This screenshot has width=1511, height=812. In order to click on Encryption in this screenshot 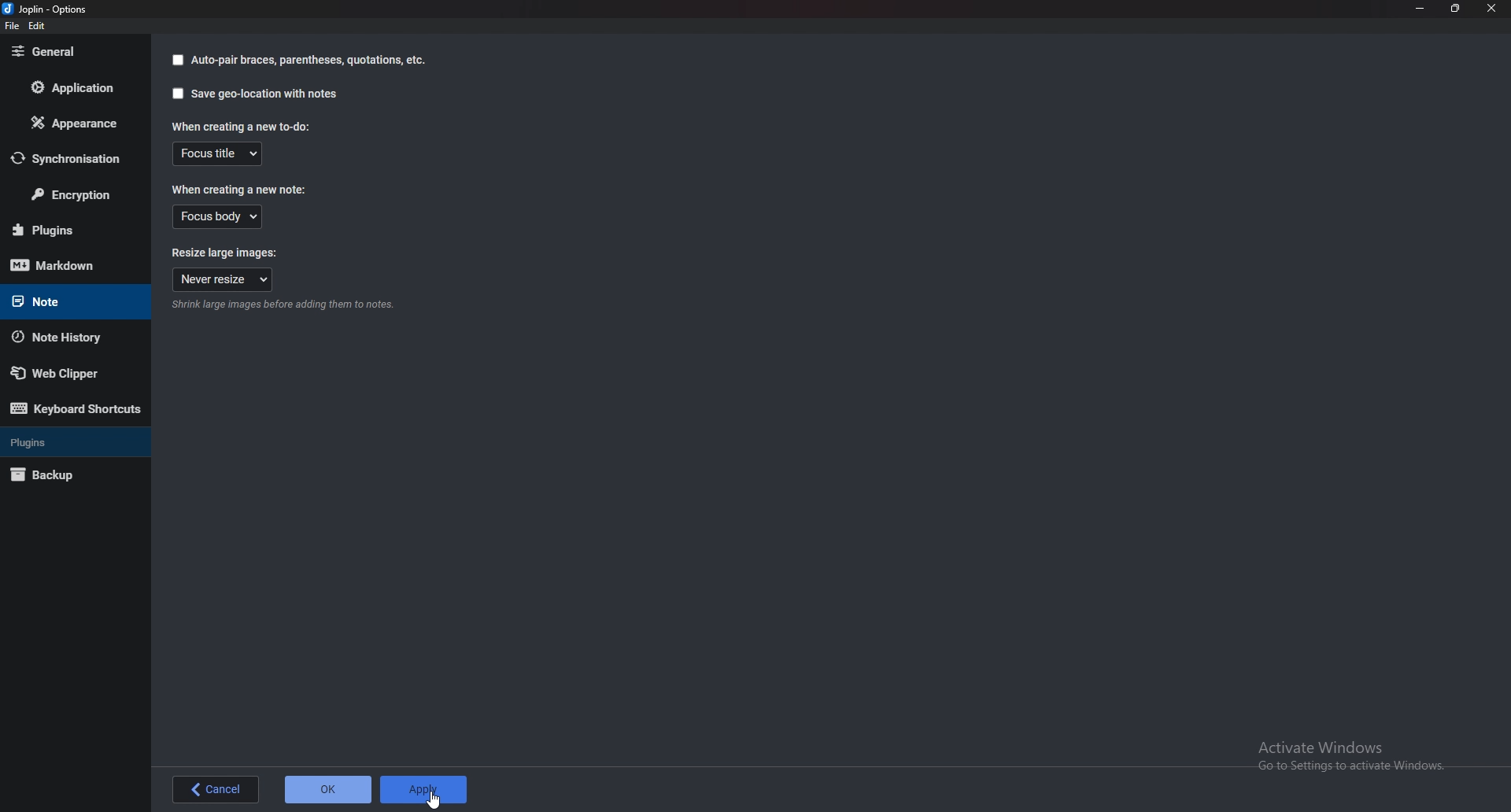, I will do `click(74, 196)`.